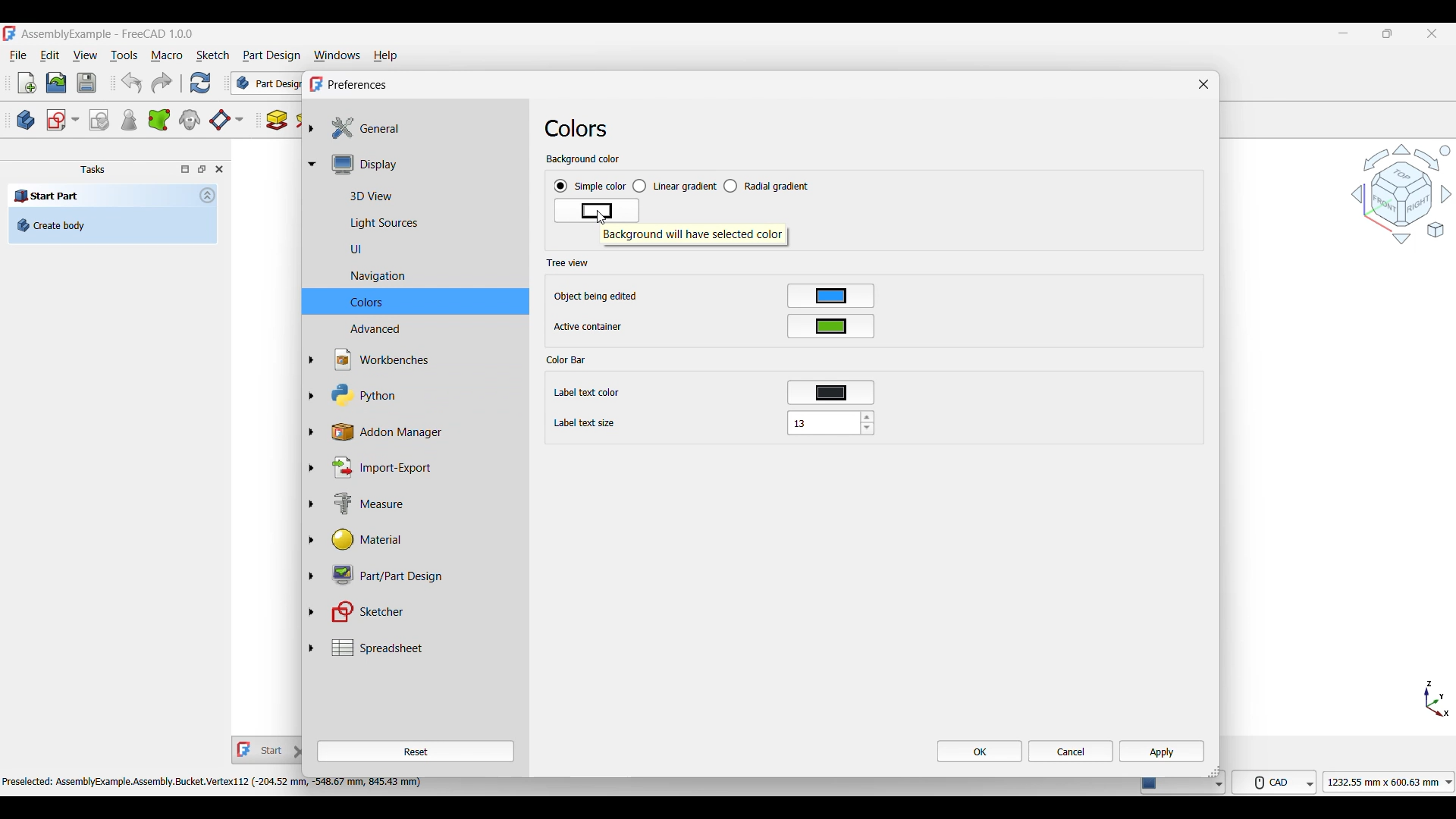 The height and width of the screenshot is (819, 1456). What do you see at coordinates (567, 262) in the screenshot?
I see `Section title` at bounding box center [567, 262].